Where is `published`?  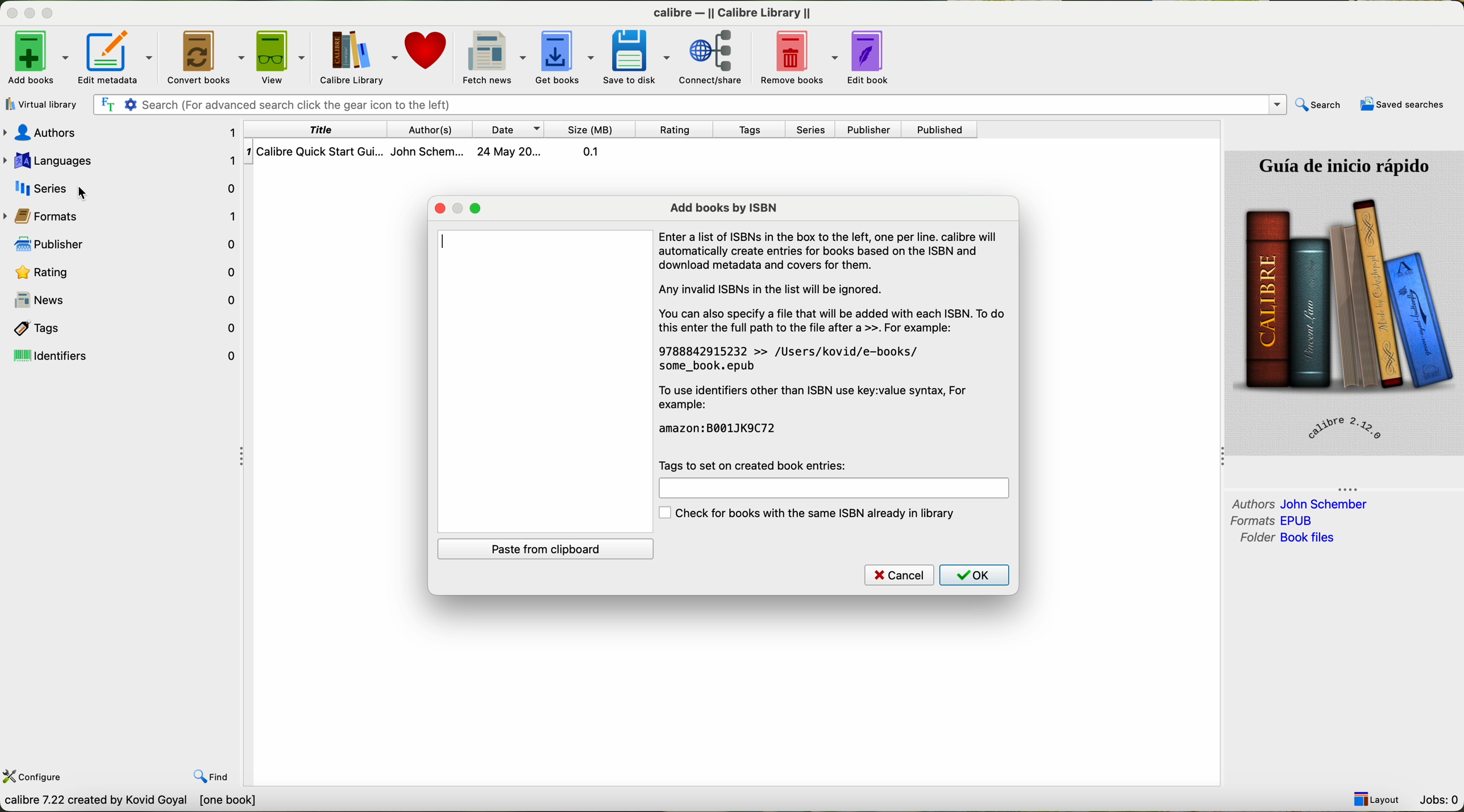 published is located at coordinates (942, 130).